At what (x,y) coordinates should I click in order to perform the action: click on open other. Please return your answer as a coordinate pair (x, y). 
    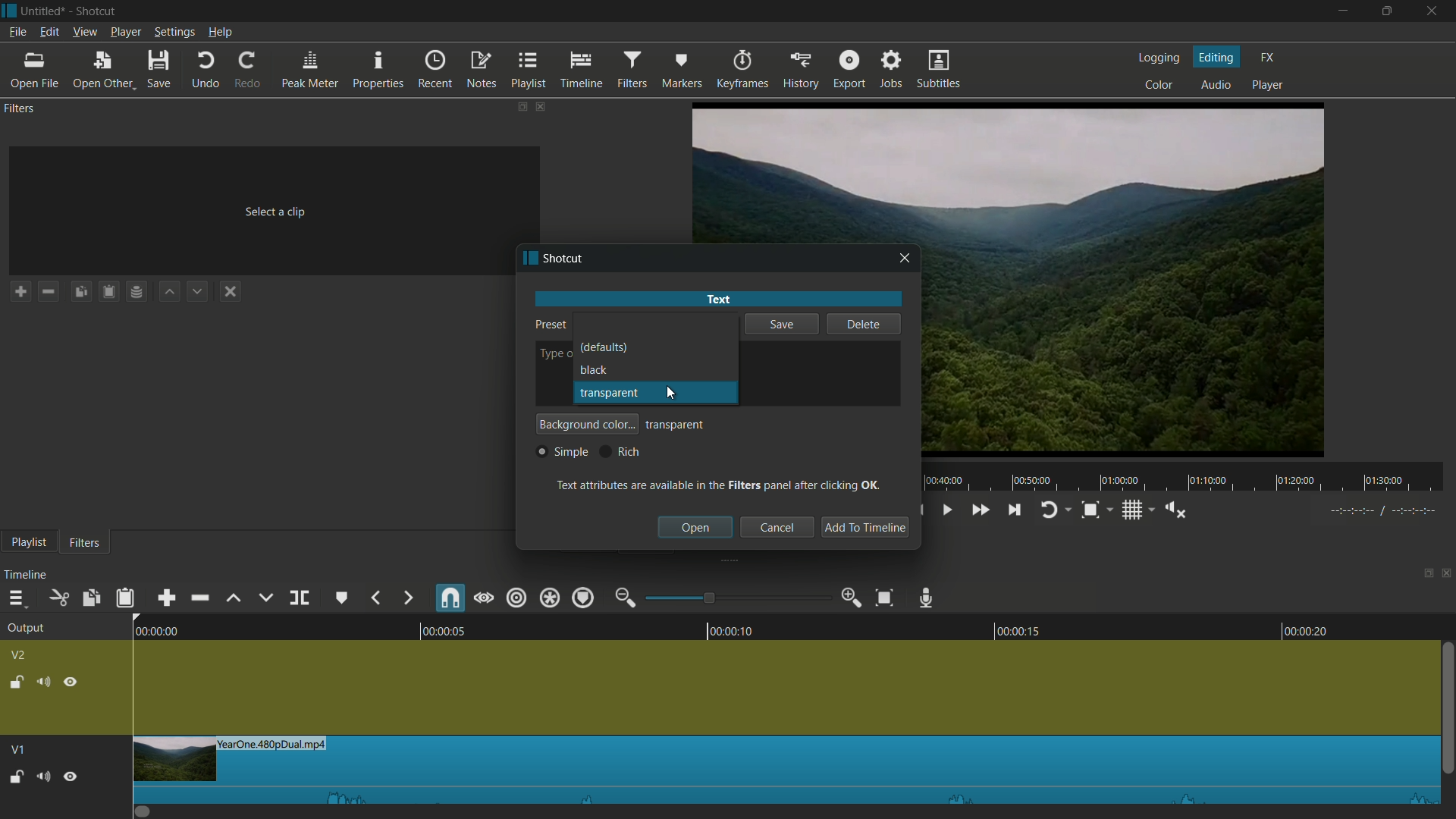
    Looking at the image, I should click on (104, 71).